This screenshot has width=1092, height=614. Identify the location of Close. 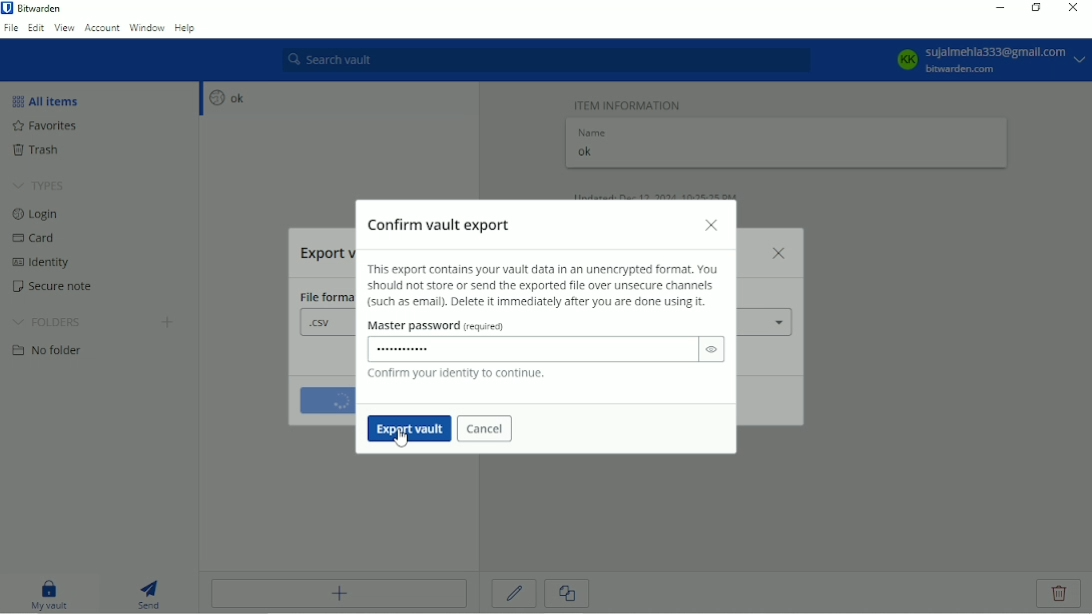
(1071, 9).